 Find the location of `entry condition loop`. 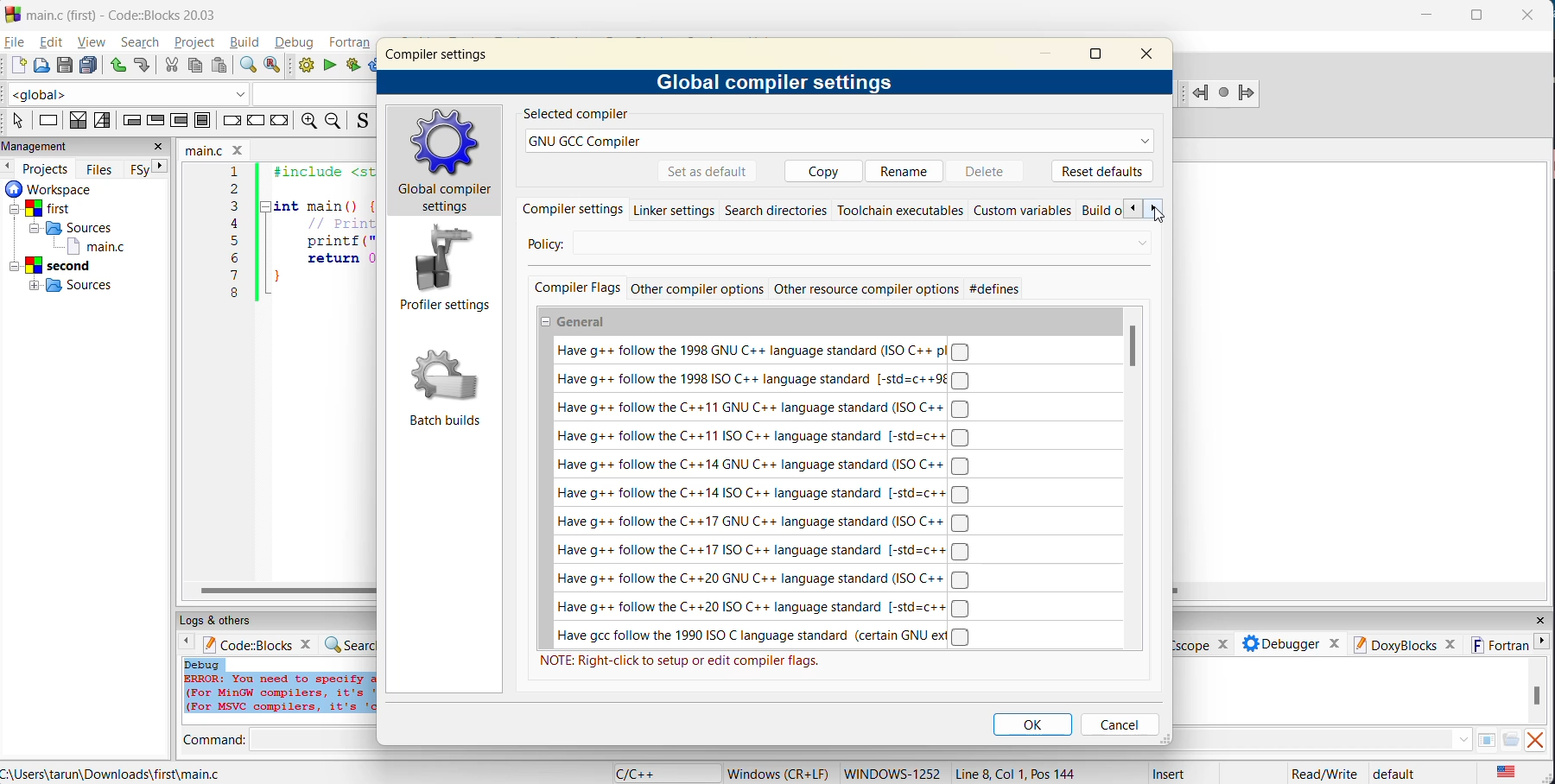

entry condition loop is located at coordinates (129, 122).